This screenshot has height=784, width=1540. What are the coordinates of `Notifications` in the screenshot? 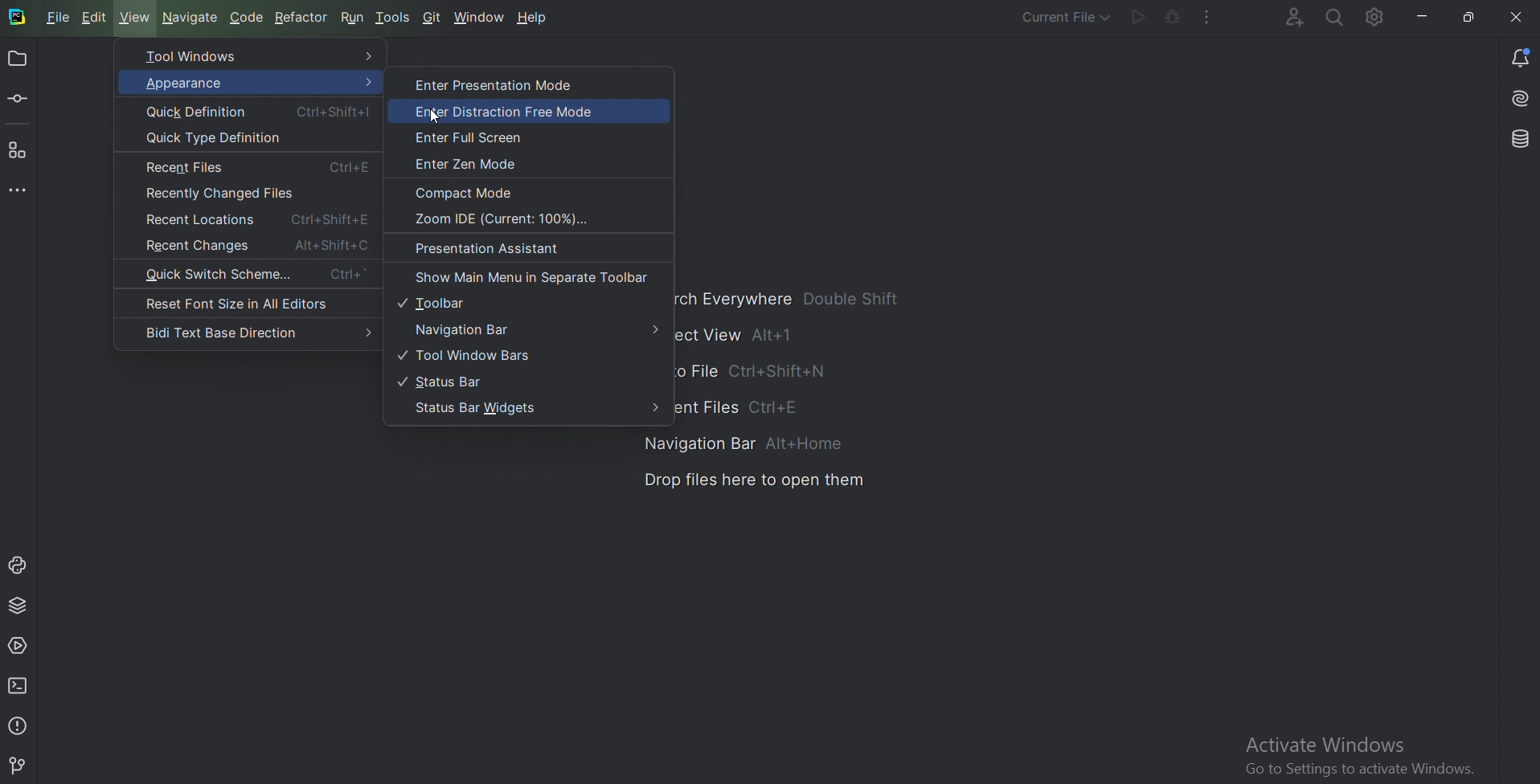 It's located at (1519, 55).